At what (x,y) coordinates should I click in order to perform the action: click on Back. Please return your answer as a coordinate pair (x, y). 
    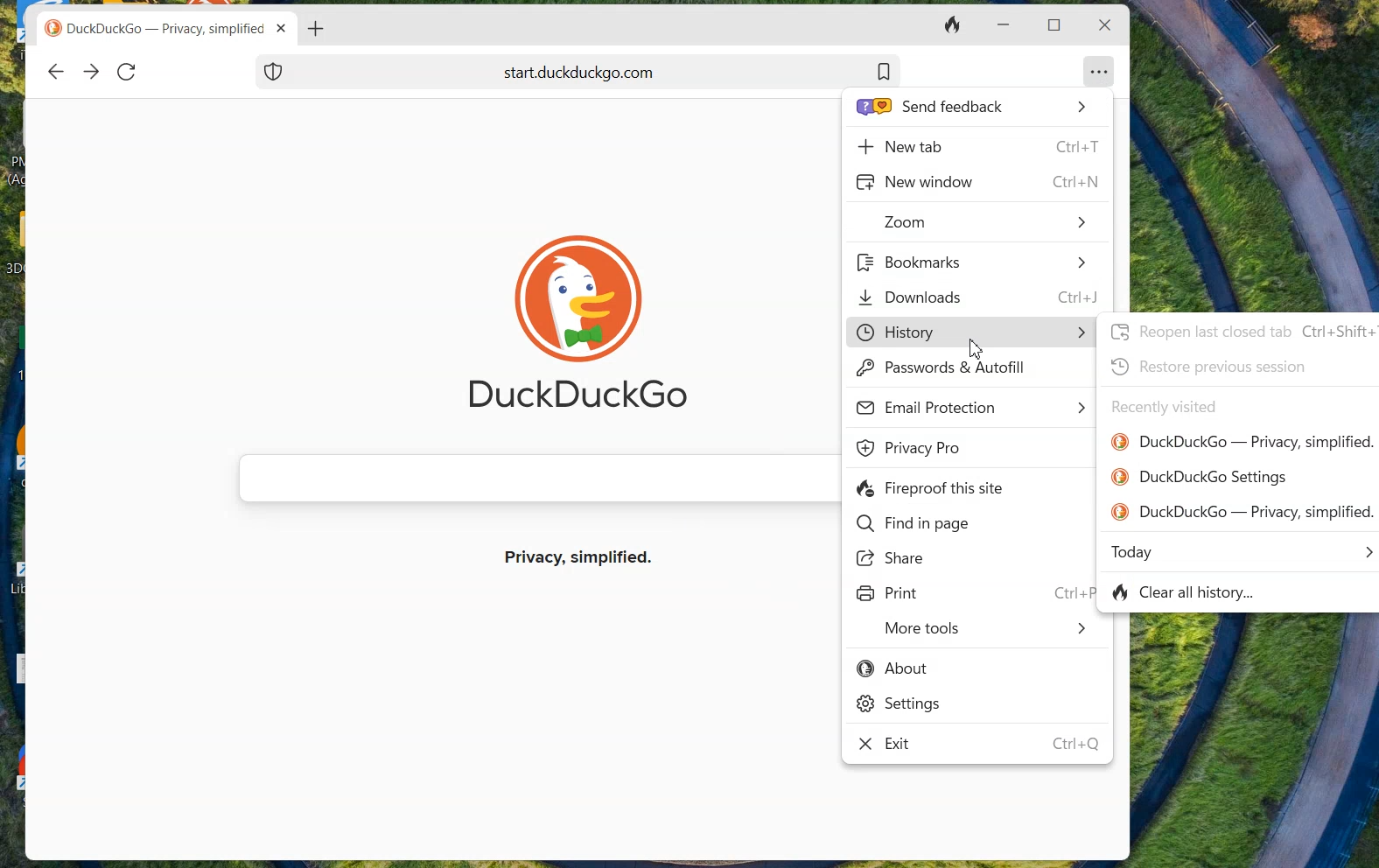
    Looking at the image, I should click on (55, 72).